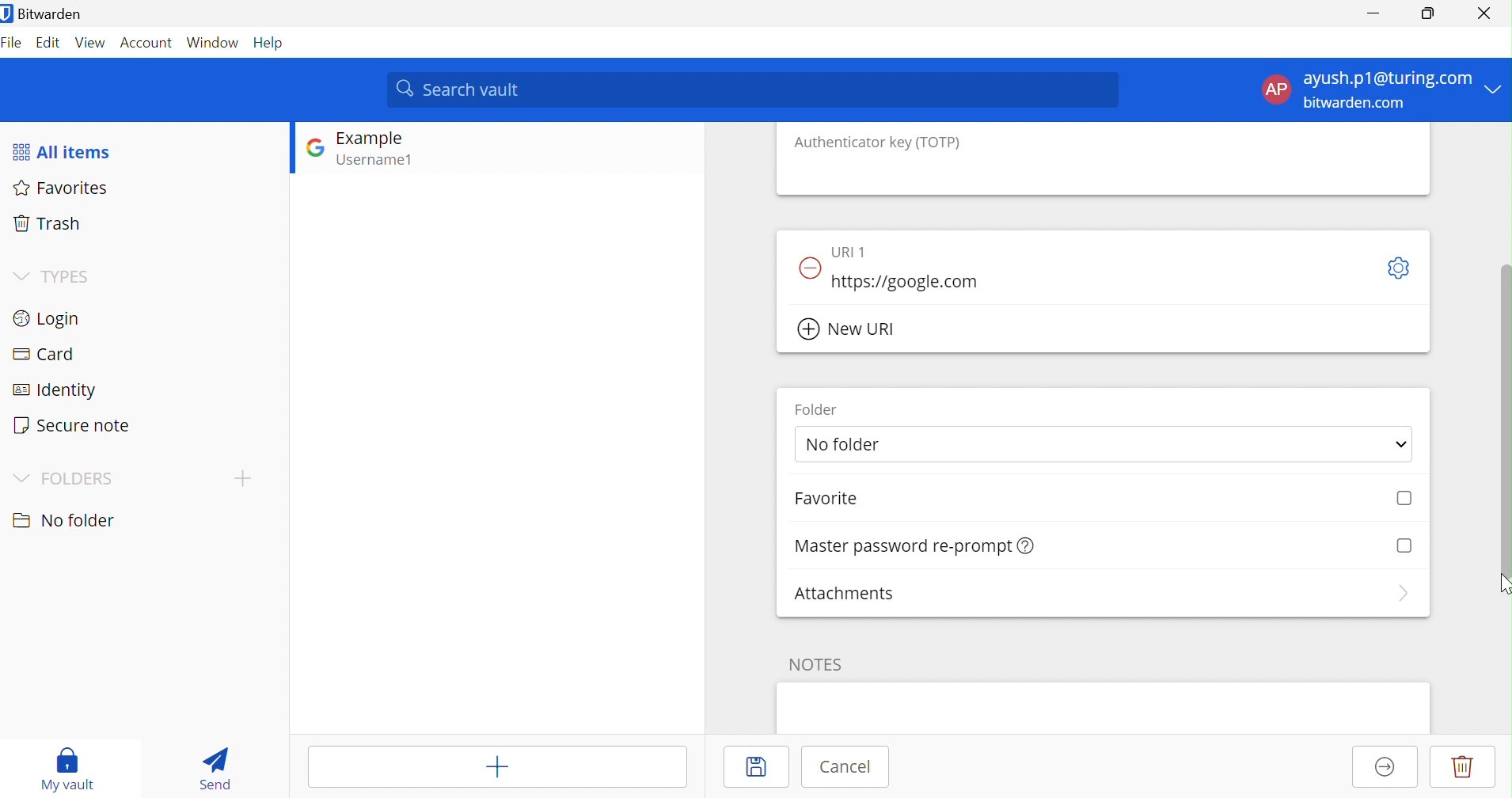 The height and width of the screenshot is (798, 1512). I want to click on Secure note, so click(73, 424).